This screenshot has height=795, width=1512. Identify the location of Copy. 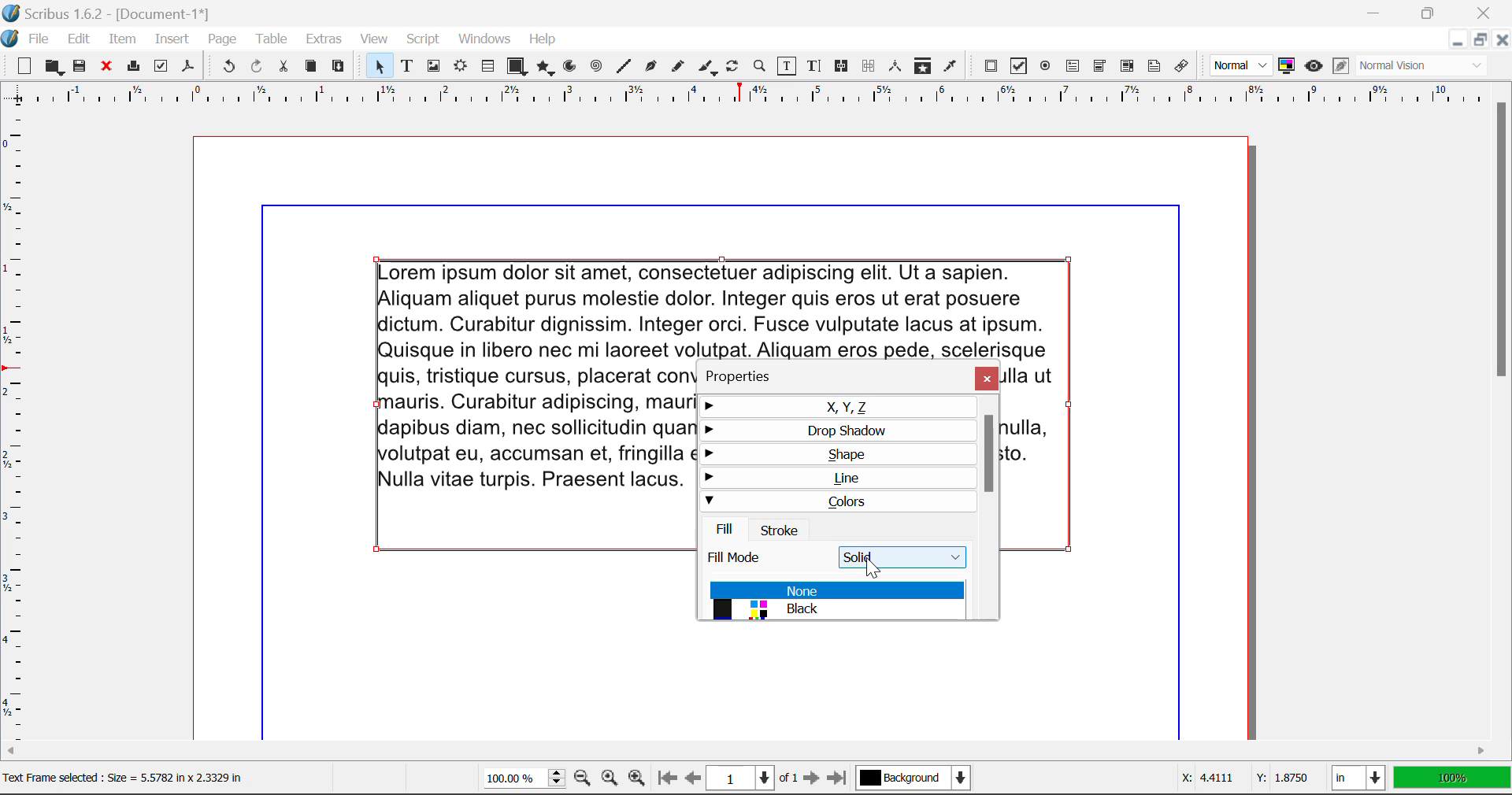
(312, 66).